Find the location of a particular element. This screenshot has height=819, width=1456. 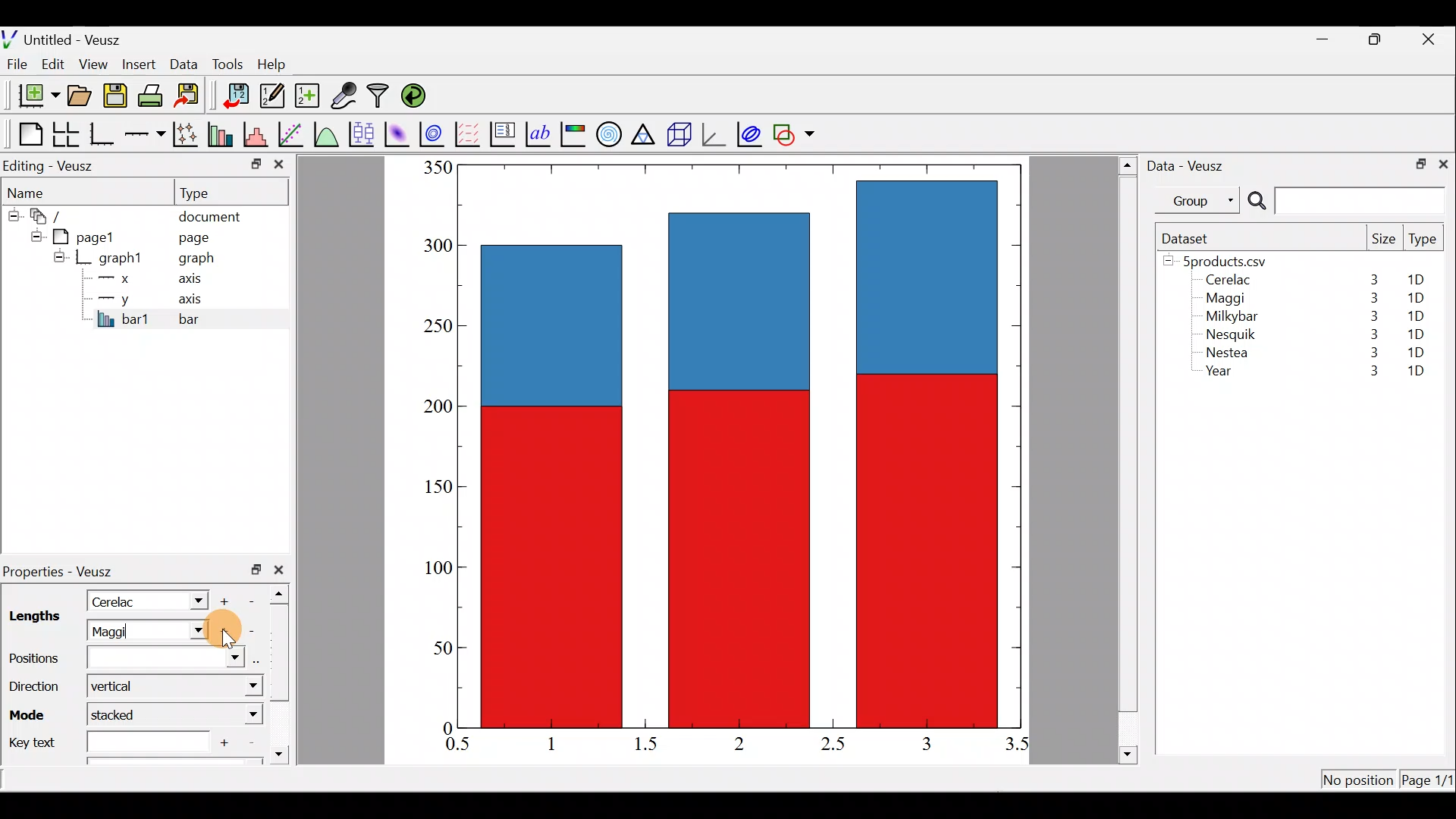

Text label is located at coordinates (540, 132).